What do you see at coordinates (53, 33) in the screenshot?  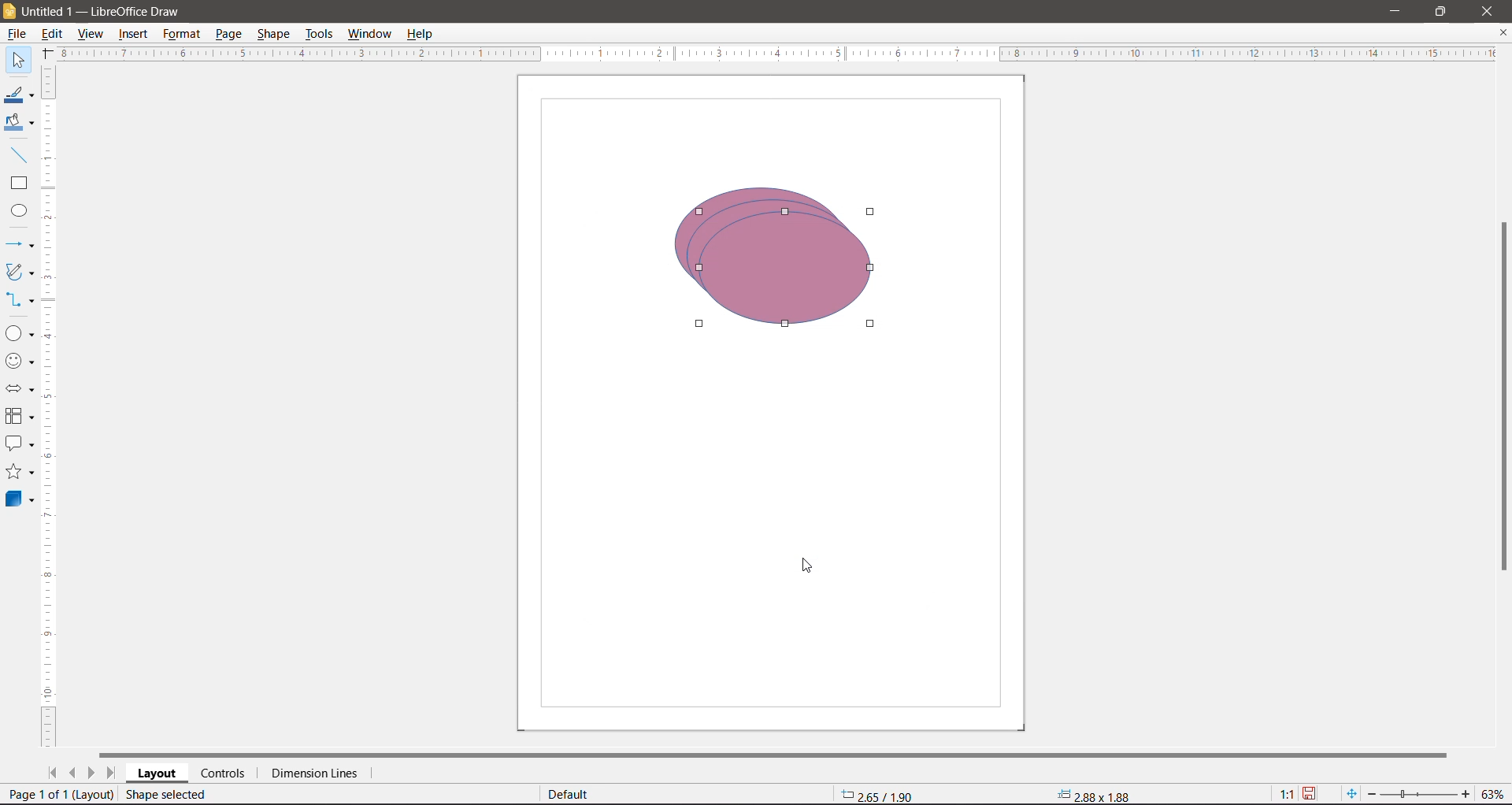 I see `Edit` at bounding box center [53, 33].